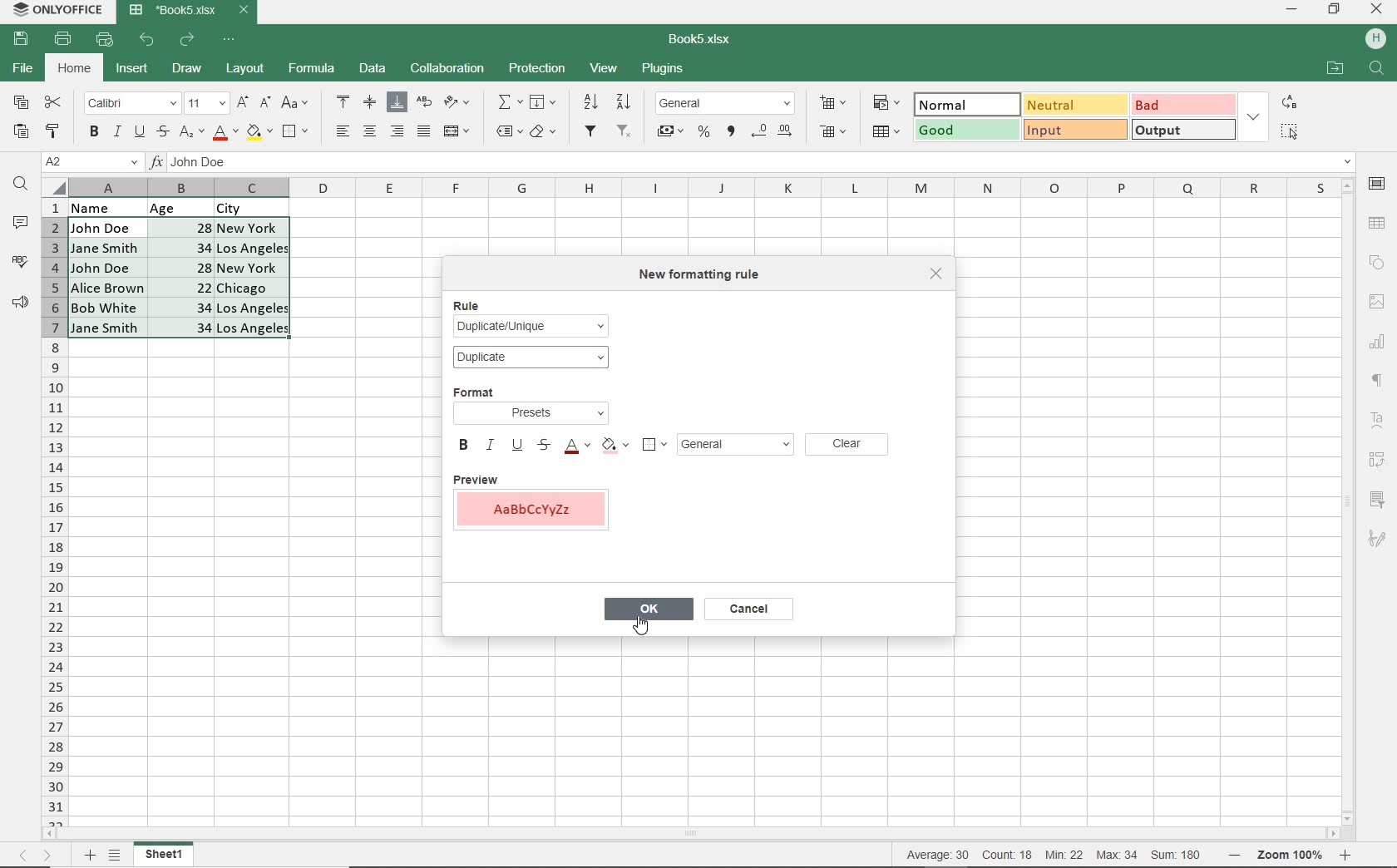 Image resolution: width=1397 pixels, height=868 pixels. I want to click on UNDERLINE, so click(138, 132).